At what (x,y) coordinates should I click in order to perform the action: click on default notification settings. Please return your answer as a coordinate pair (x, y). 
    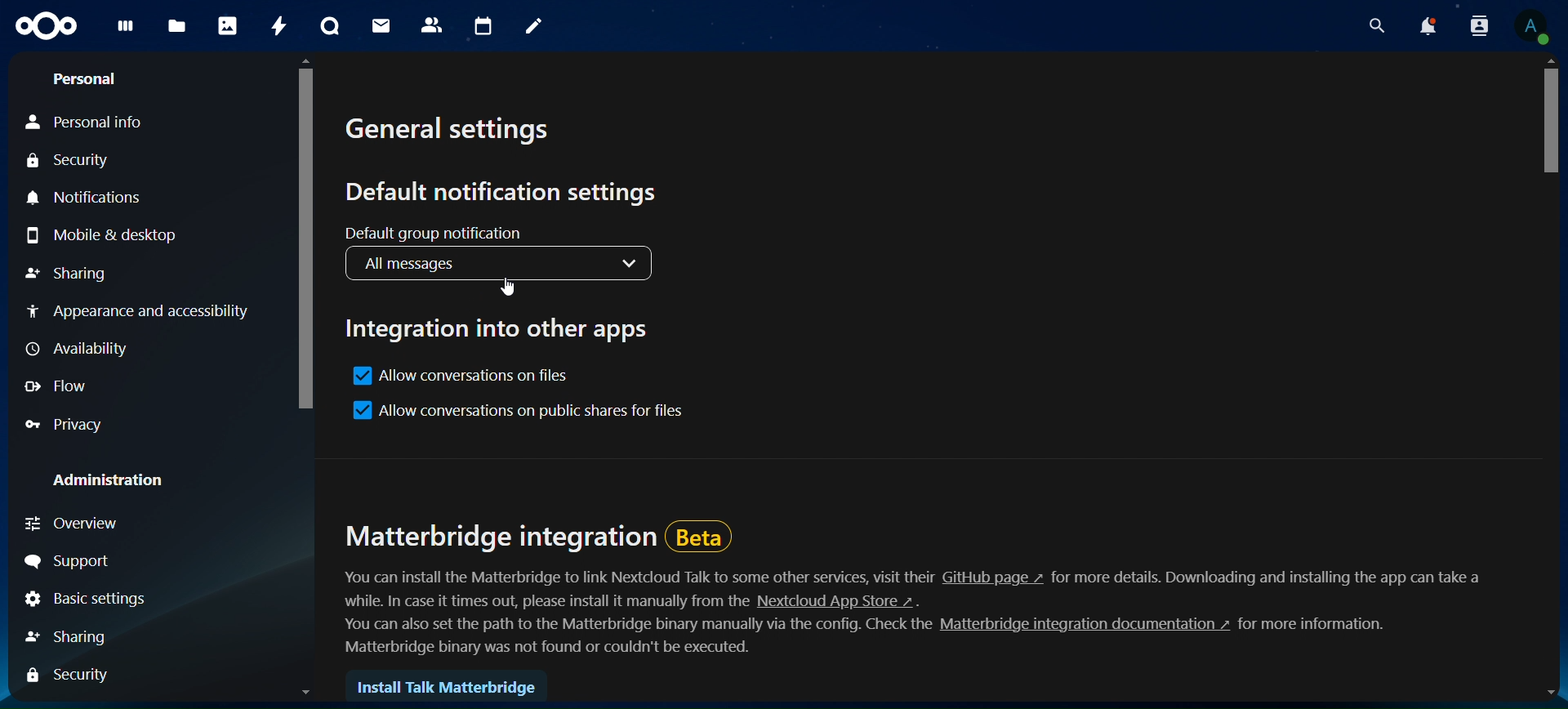
    Looking at the image, I should click on (508, 192).